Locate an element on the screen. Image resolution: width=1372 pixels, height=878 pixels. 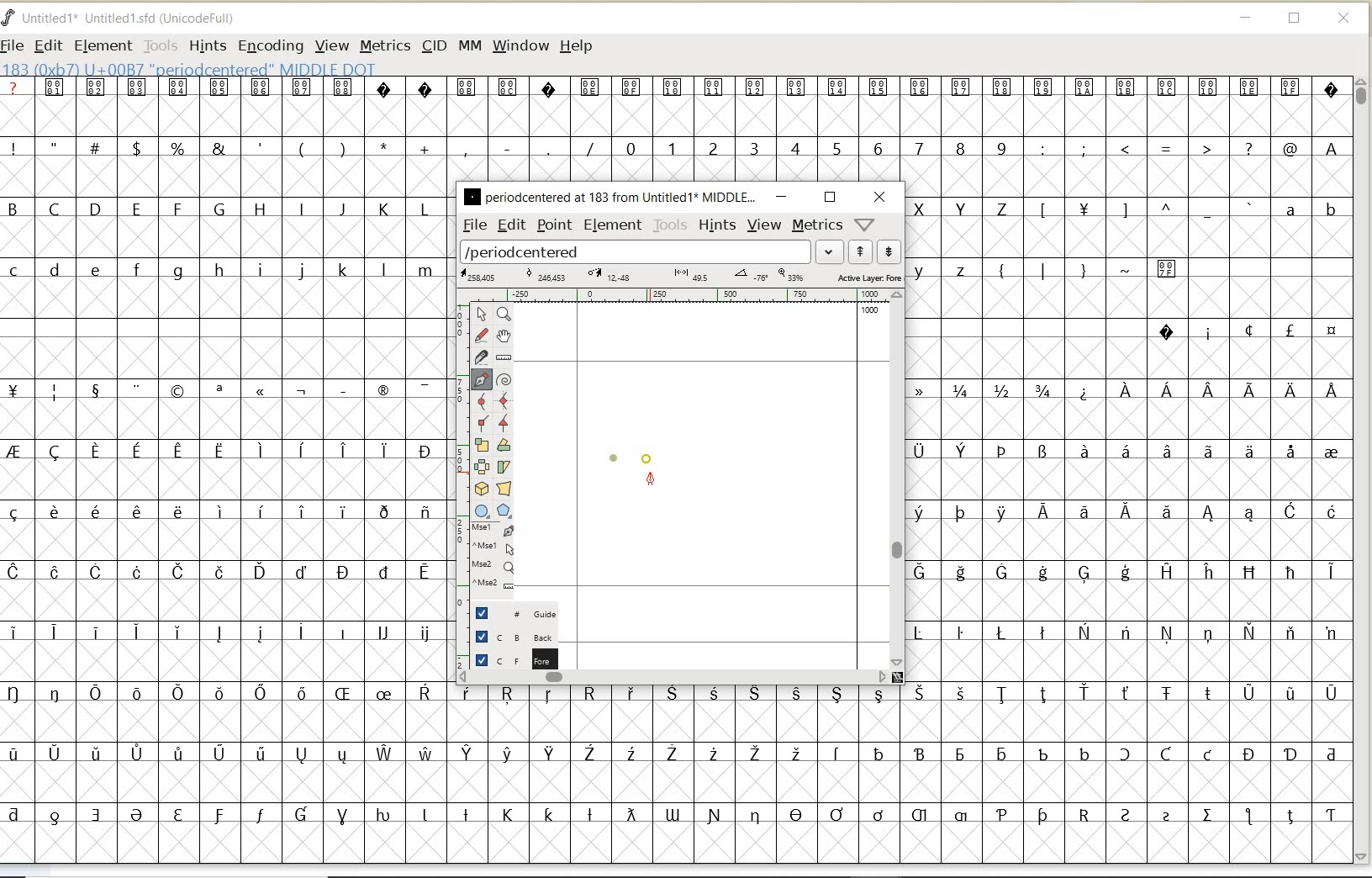
expand is located at coordinates (830, 251).